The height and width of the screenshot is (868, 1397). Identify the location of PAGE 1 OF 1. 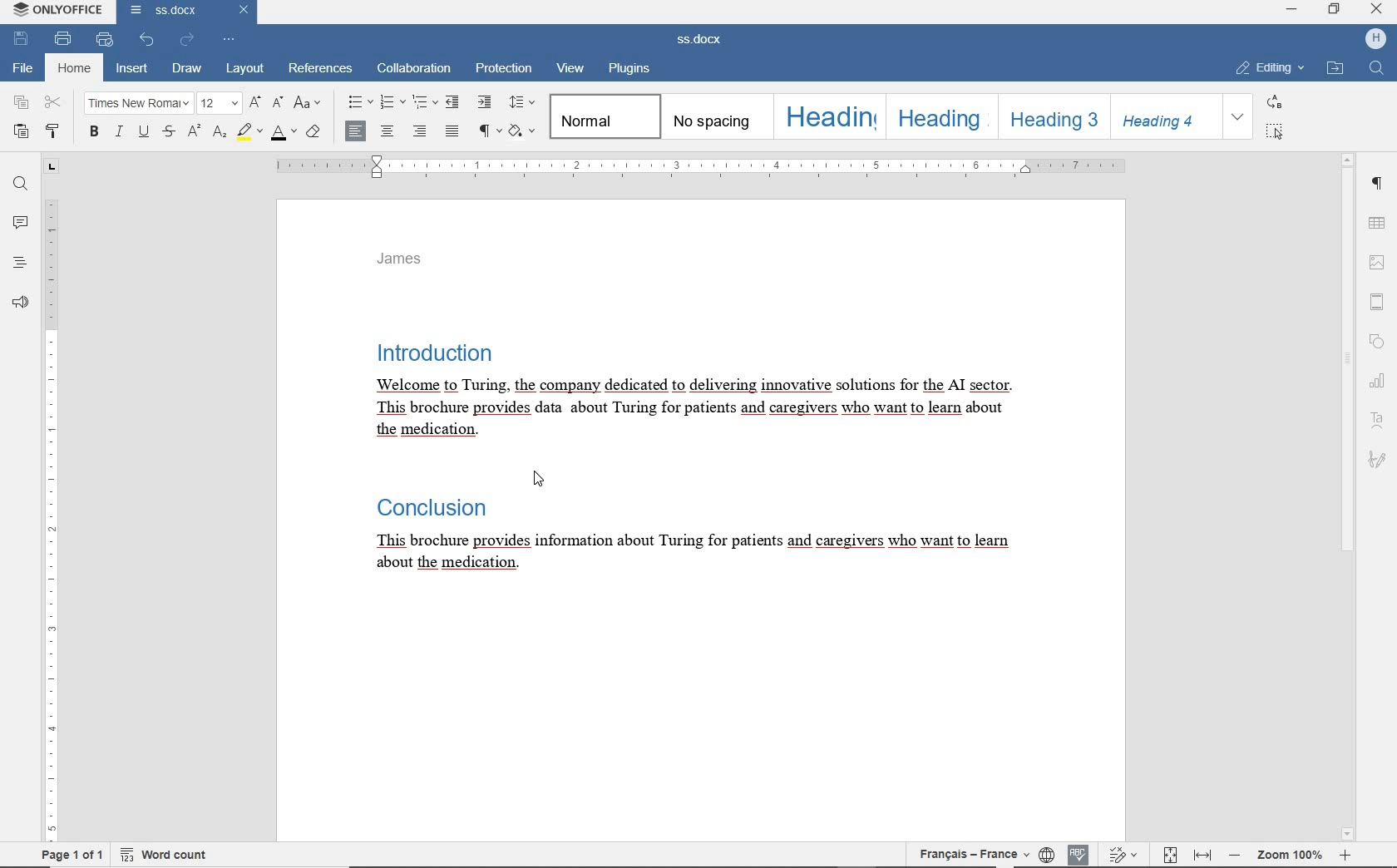
(73, 855).